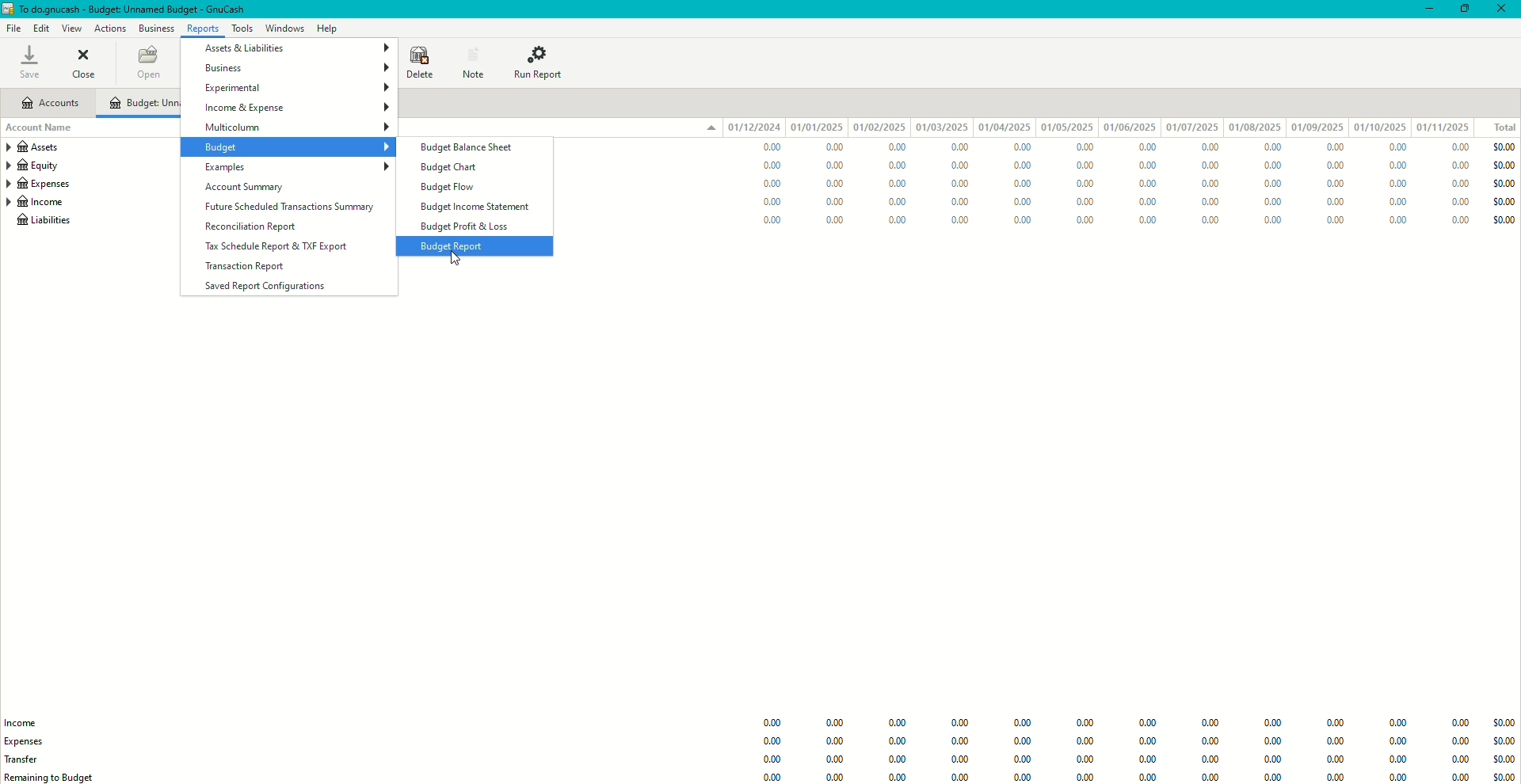  I want to click on todo.gnucash - budget: unnamed budget - gnucash, so click(131, 10).